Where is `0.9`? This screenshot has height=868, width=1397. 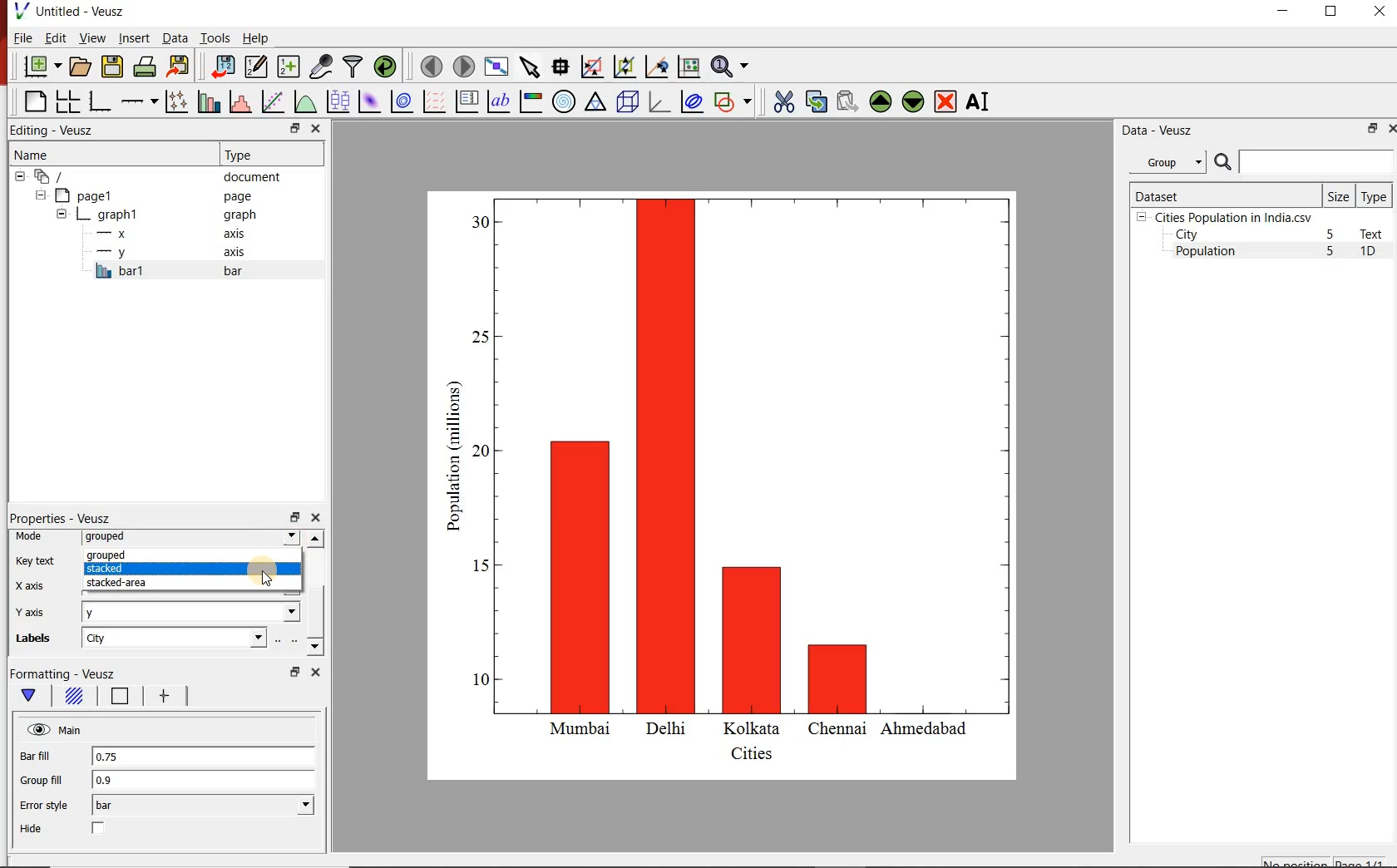
0.9 is located at coordinates (204, 781).